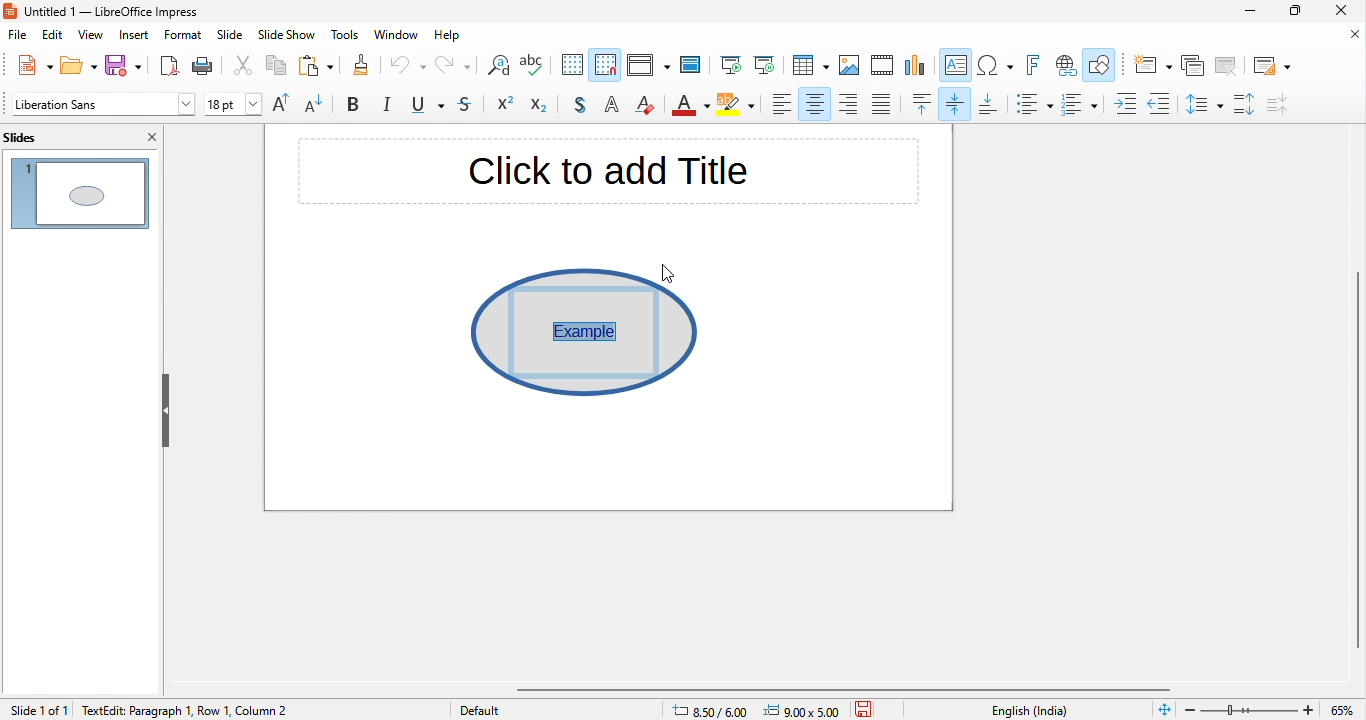  Describe the element at coordinates (1273, 708) in the screenshot. I see `zoom` at that location.